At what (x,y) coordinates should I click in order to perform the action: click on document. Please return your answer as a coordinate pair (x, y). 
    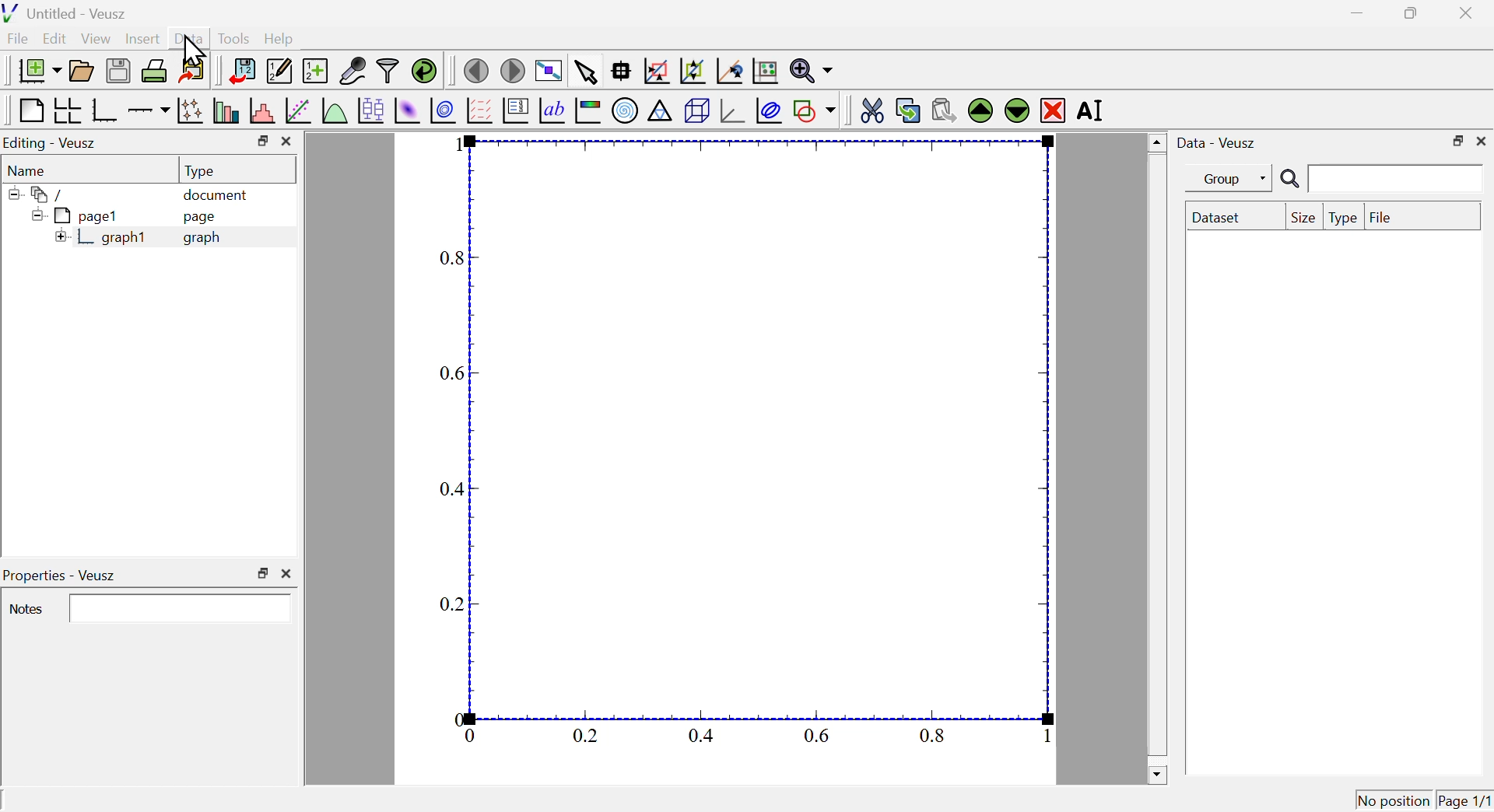
    Looking at the image, I should click on (217, 196).